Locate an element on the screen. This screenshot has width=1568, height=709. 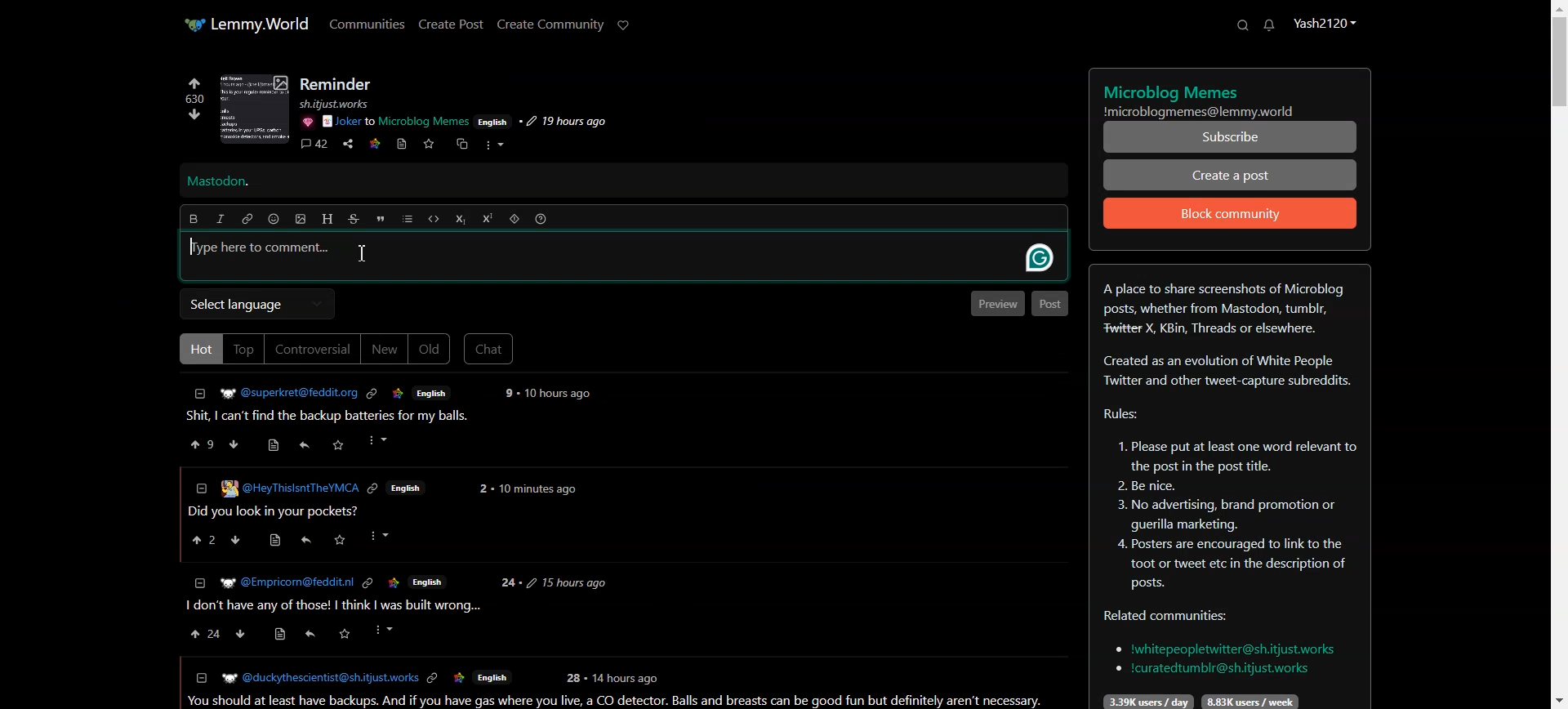
Post is located at coordinates (1050, 304).